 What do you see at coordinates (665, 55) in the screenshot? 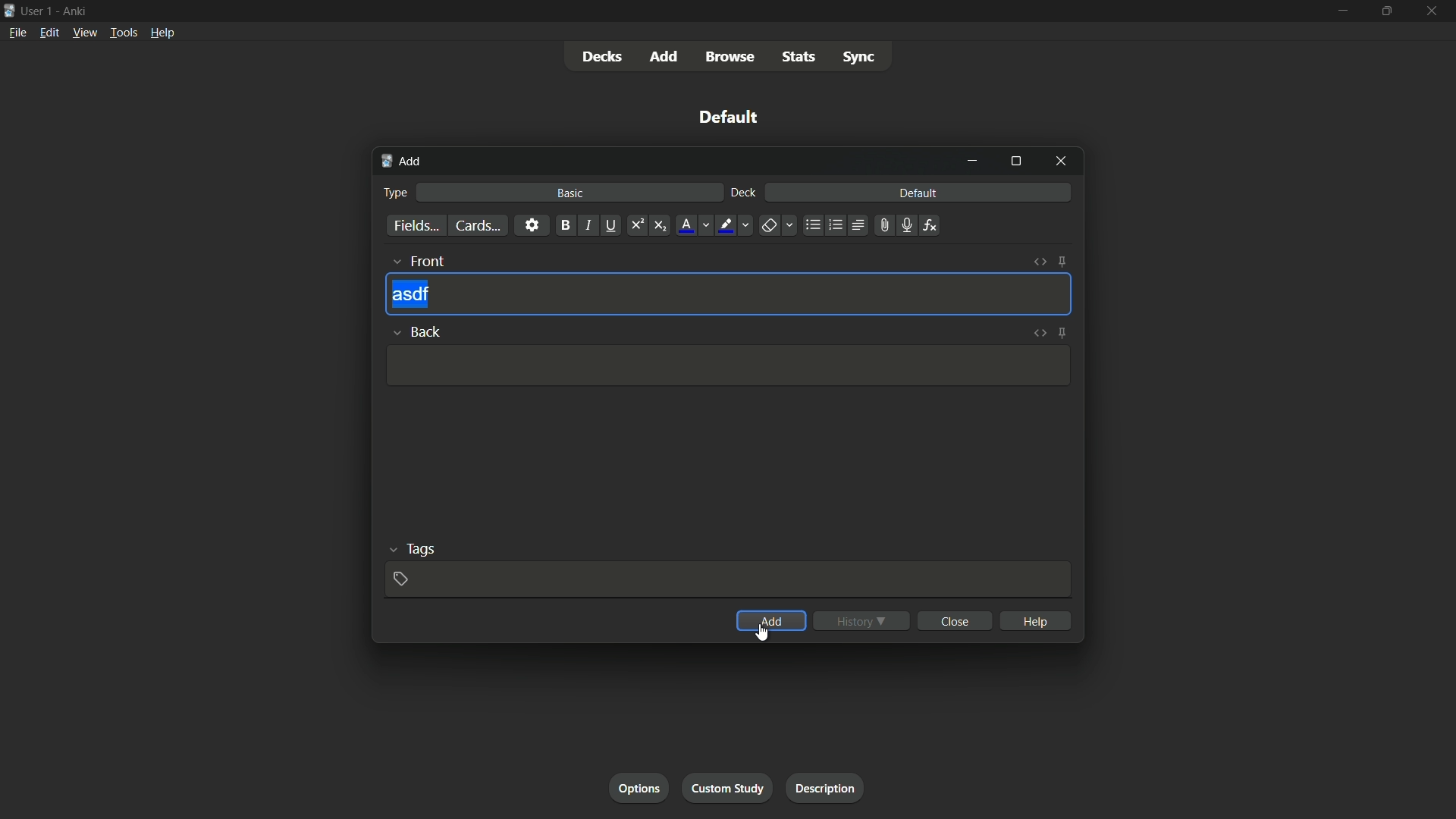
I see `add` at bounding box center [665, 55].